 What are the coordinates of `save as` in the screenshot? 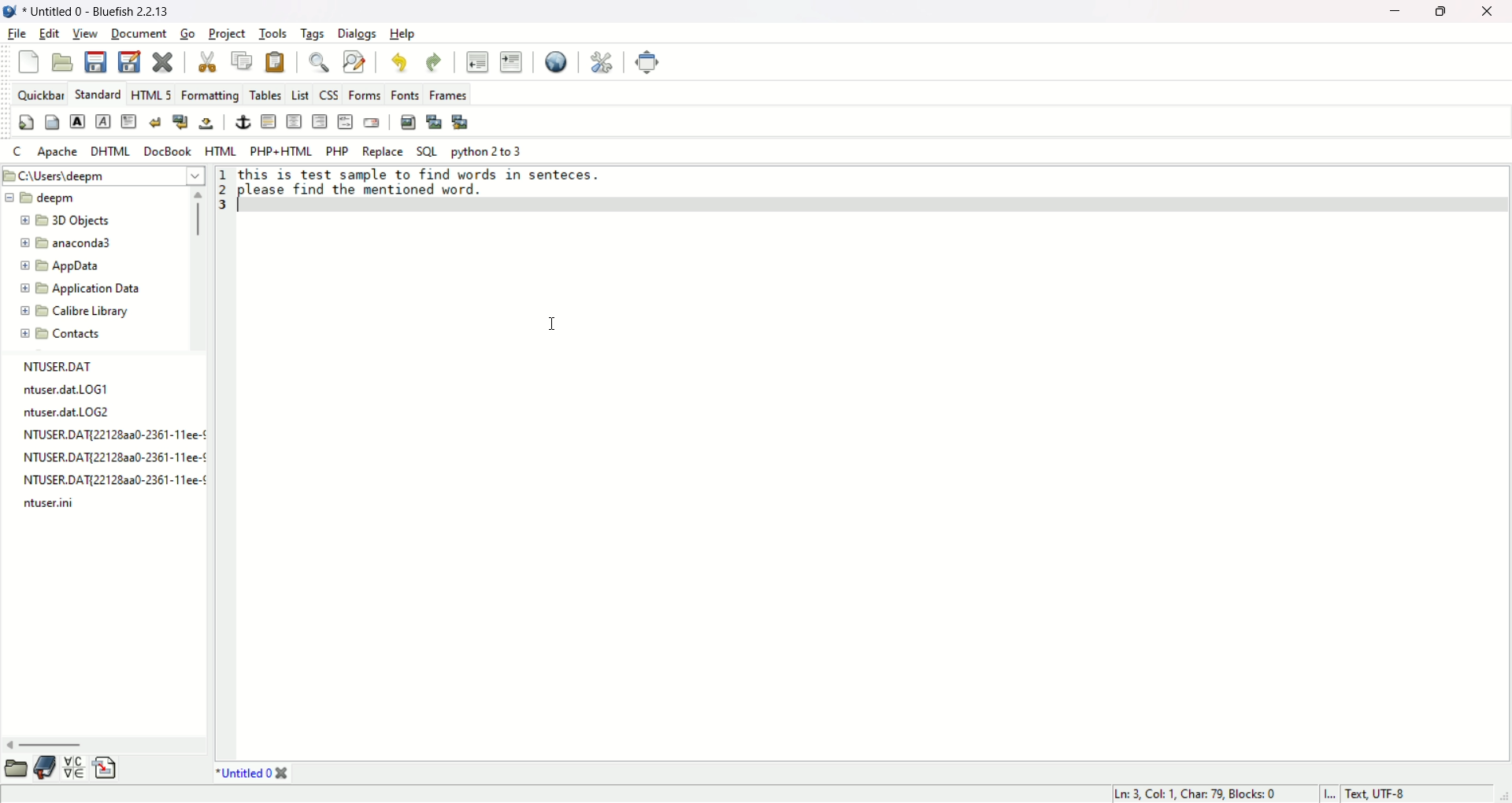 It's located at (131, 60).